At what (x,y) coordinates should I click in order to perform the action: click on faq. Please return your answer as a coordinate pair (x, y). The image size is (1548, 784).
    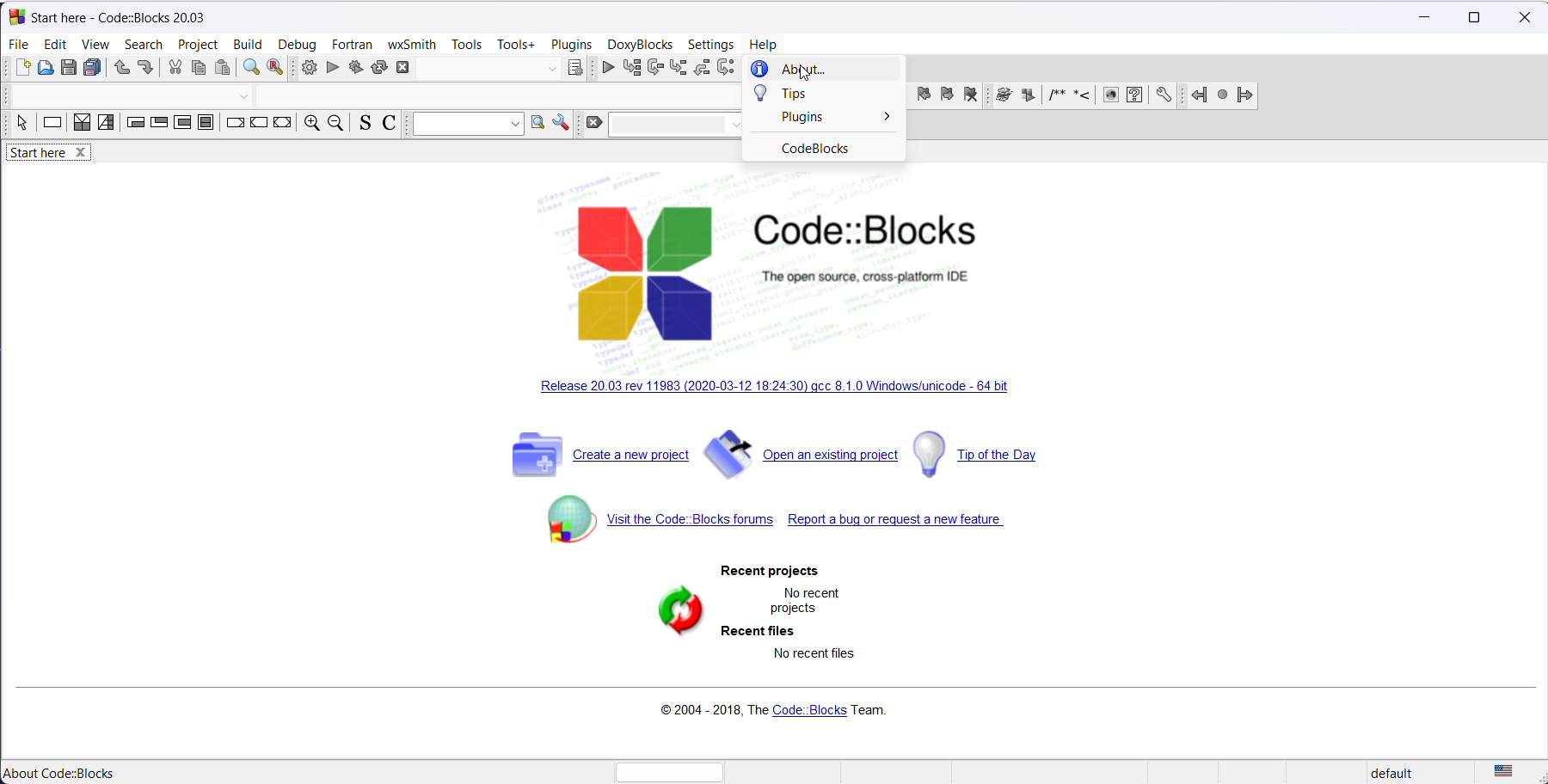
    Looking at the image, I should click on (1135, 95).